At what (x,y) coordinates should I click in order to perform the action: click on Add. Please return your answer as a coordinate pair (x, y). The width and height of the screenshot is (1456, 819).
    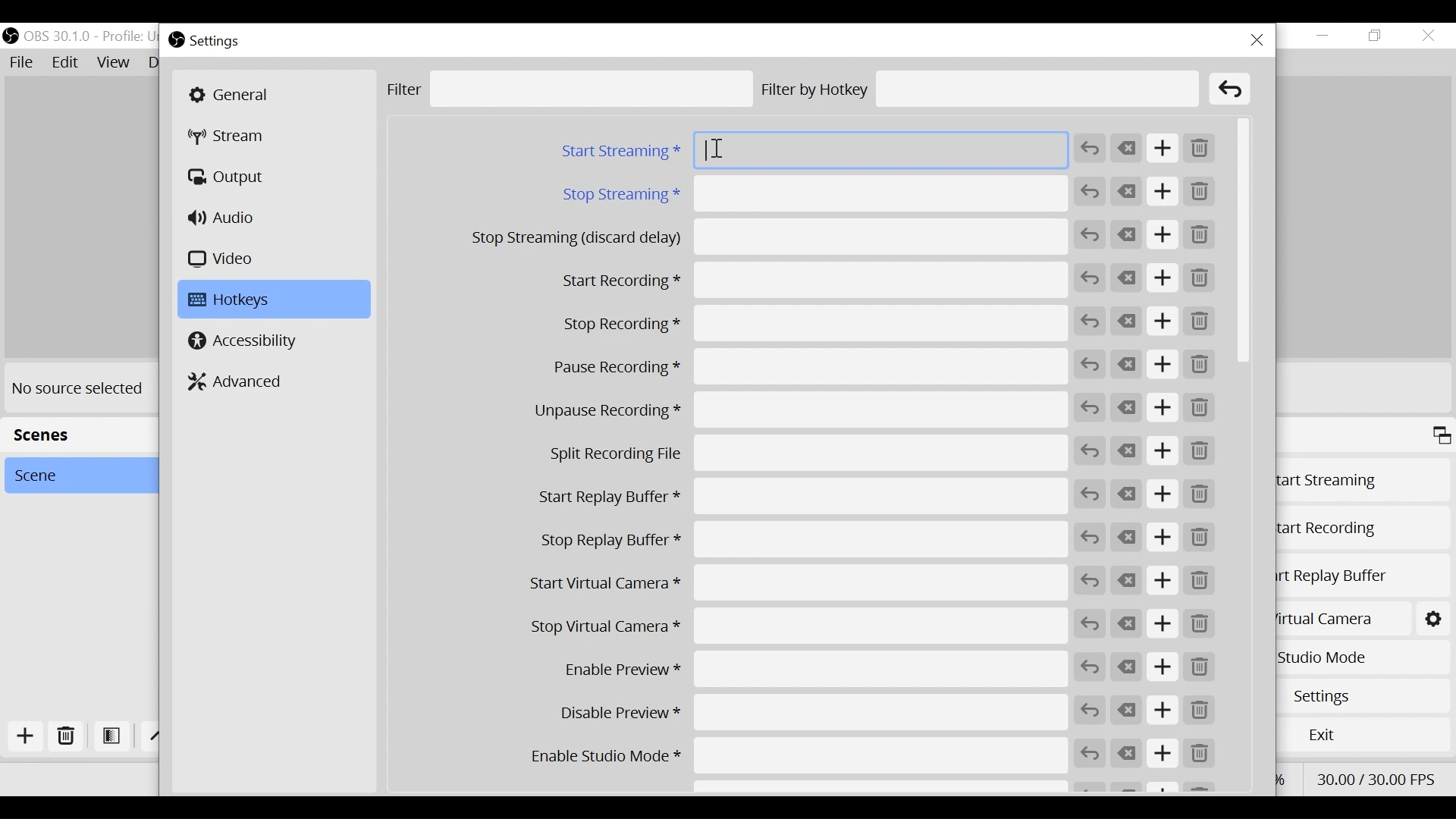
    Looking at the image, I should click on (1163, 538).